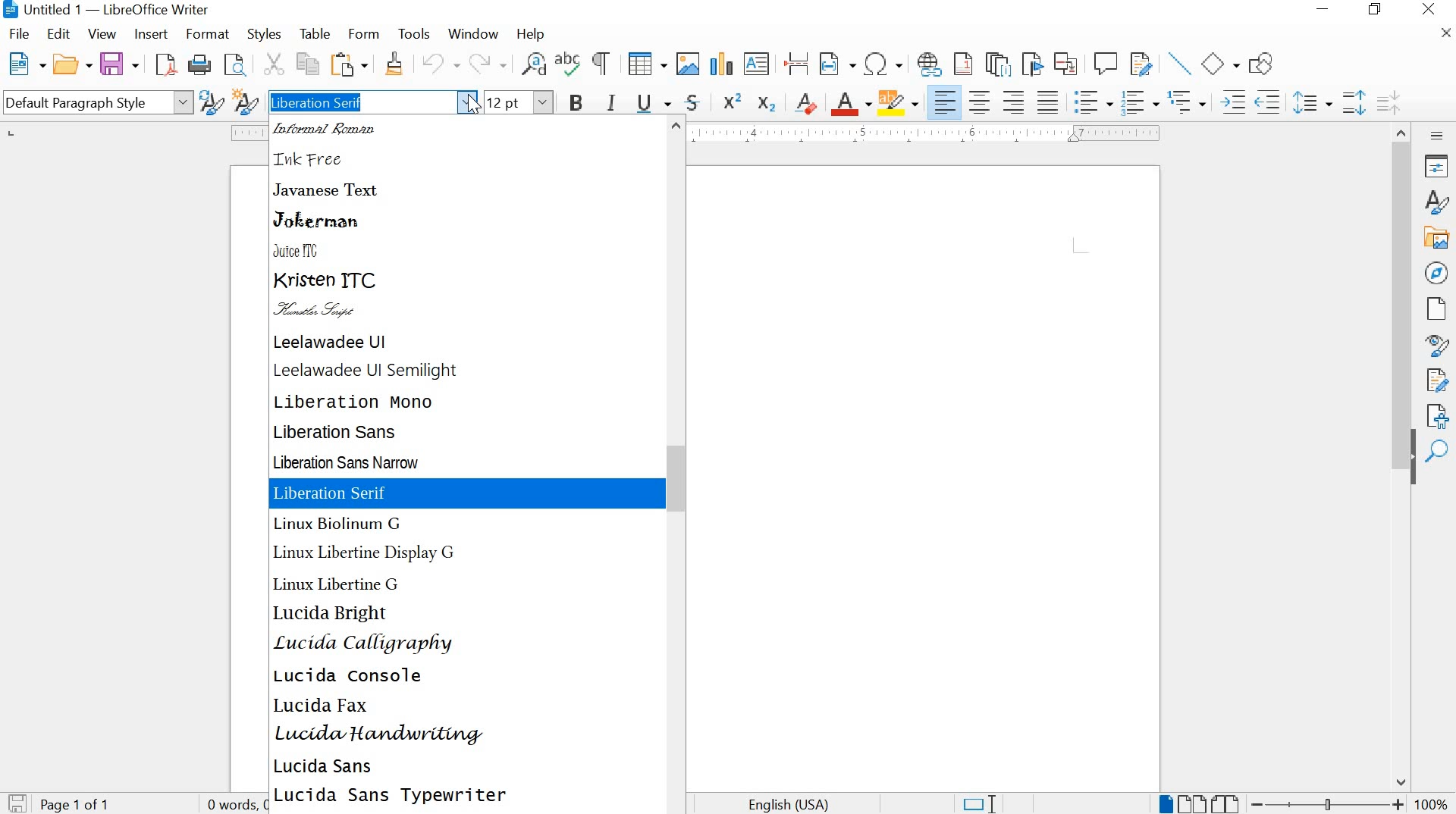 The width and height of the screenshot is (1456, 814). What do you see at coordinates (679, 464) in the screenshot?
I see `SCROLLBAR` at bounding box center [679, 464].